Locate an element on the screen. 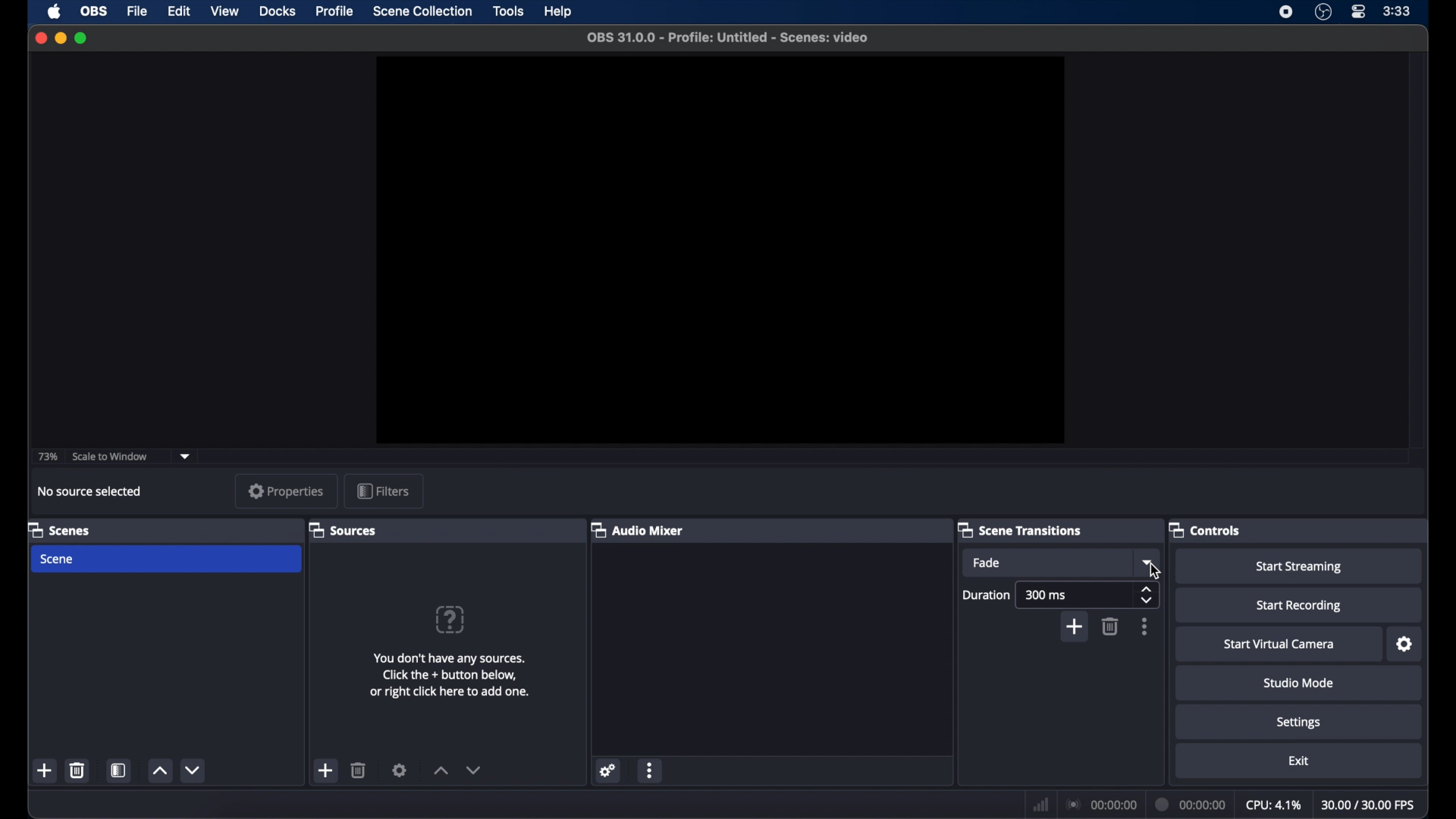  more options is located at coordinates (1145, 626).